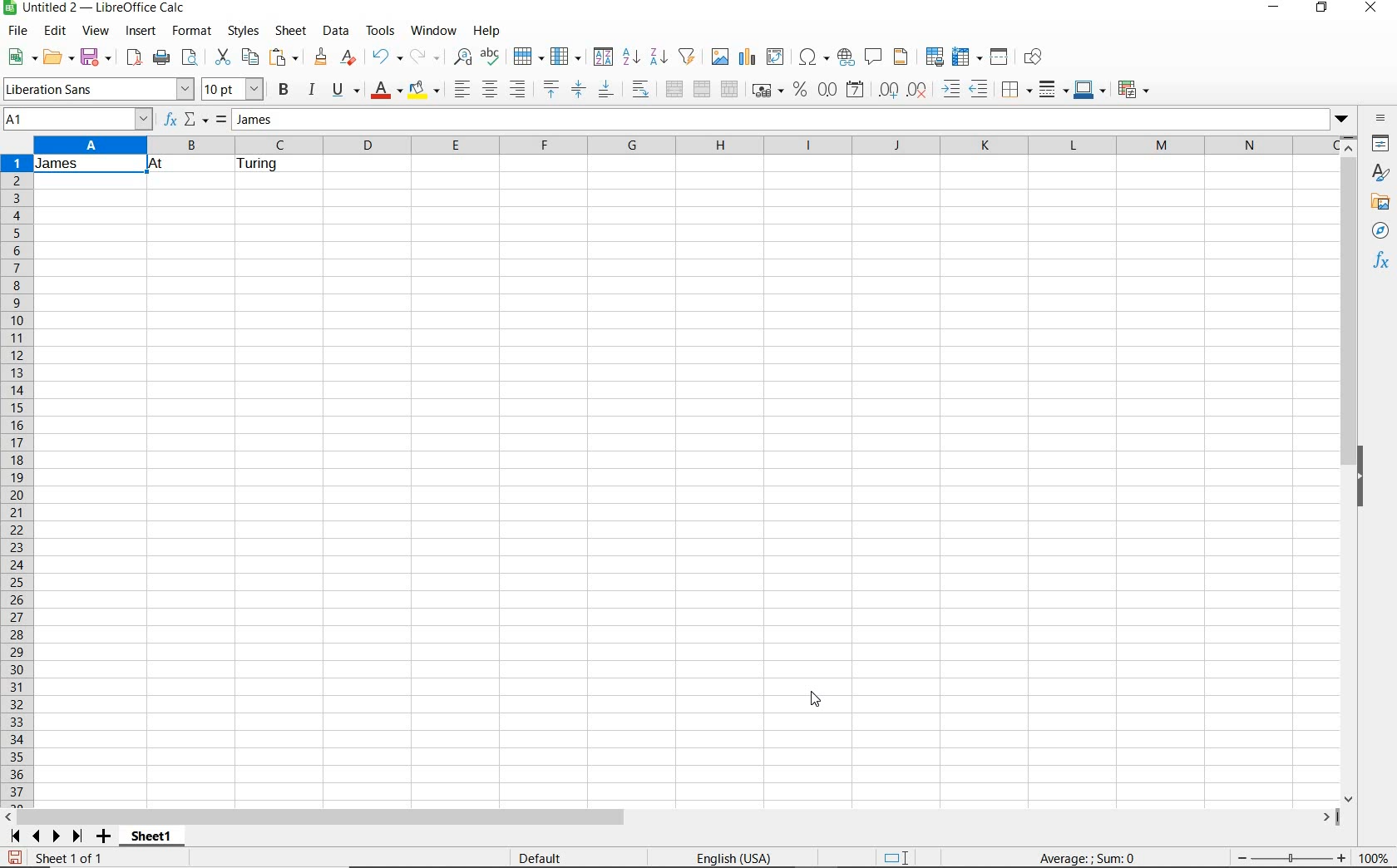 The image size is (1397, 868). Describe the element at coordinates (96, 57) in the screenshot. I see `save` at that location.